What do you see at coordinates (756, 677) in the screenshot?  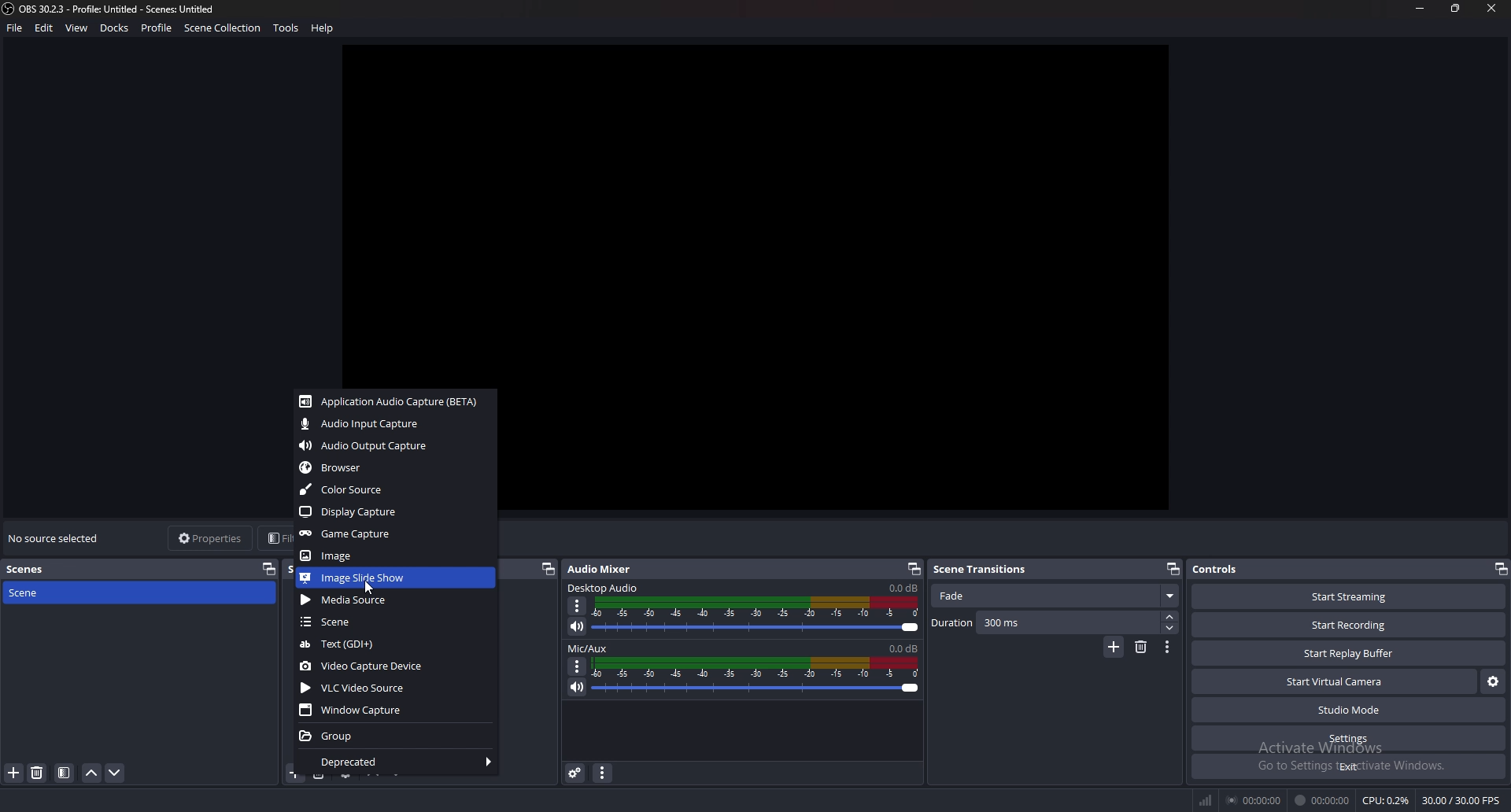 I see `volume adjust` at bounding box center [756, 677].